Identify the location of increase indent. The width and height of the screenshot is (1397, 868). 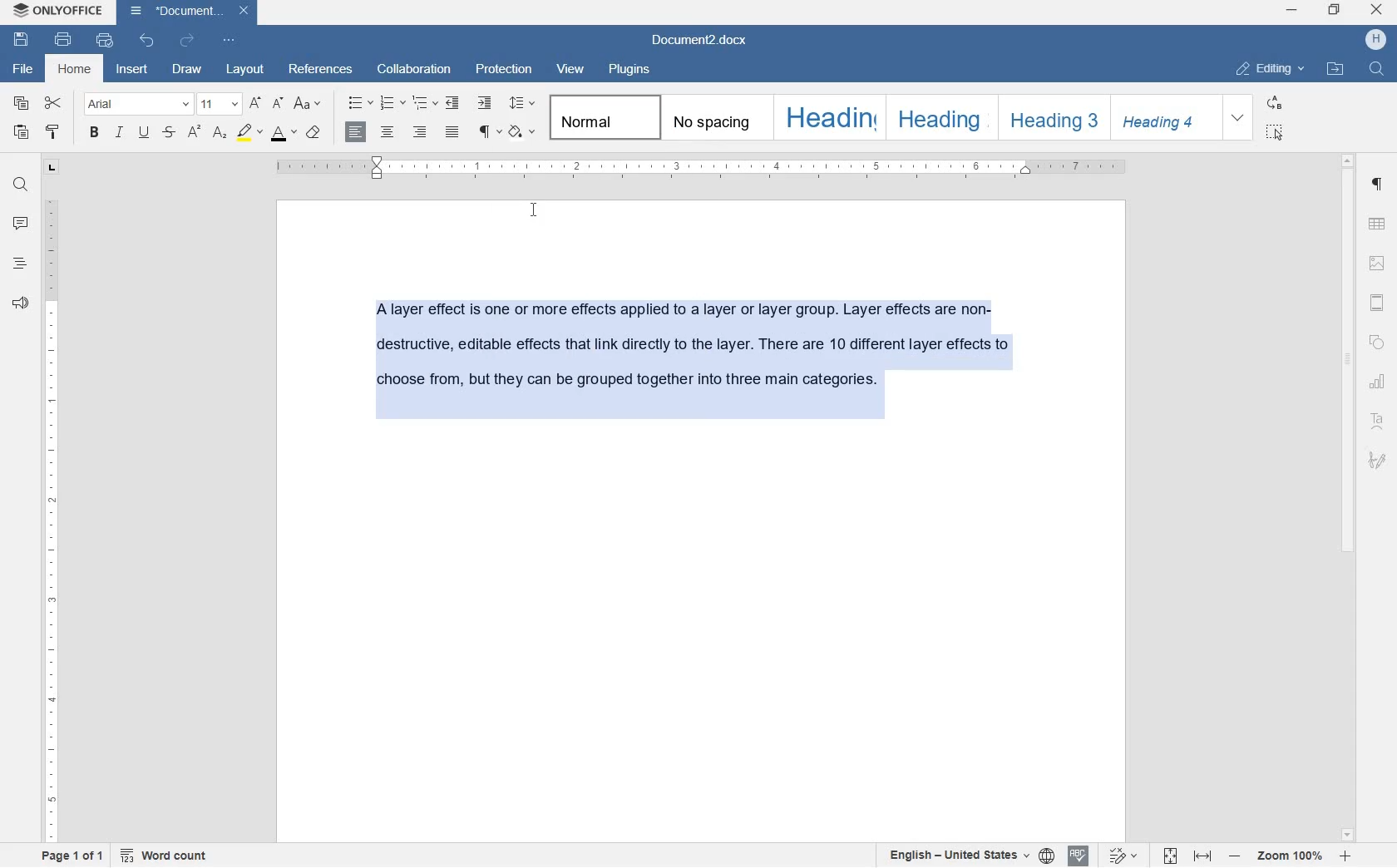
(485, 104).